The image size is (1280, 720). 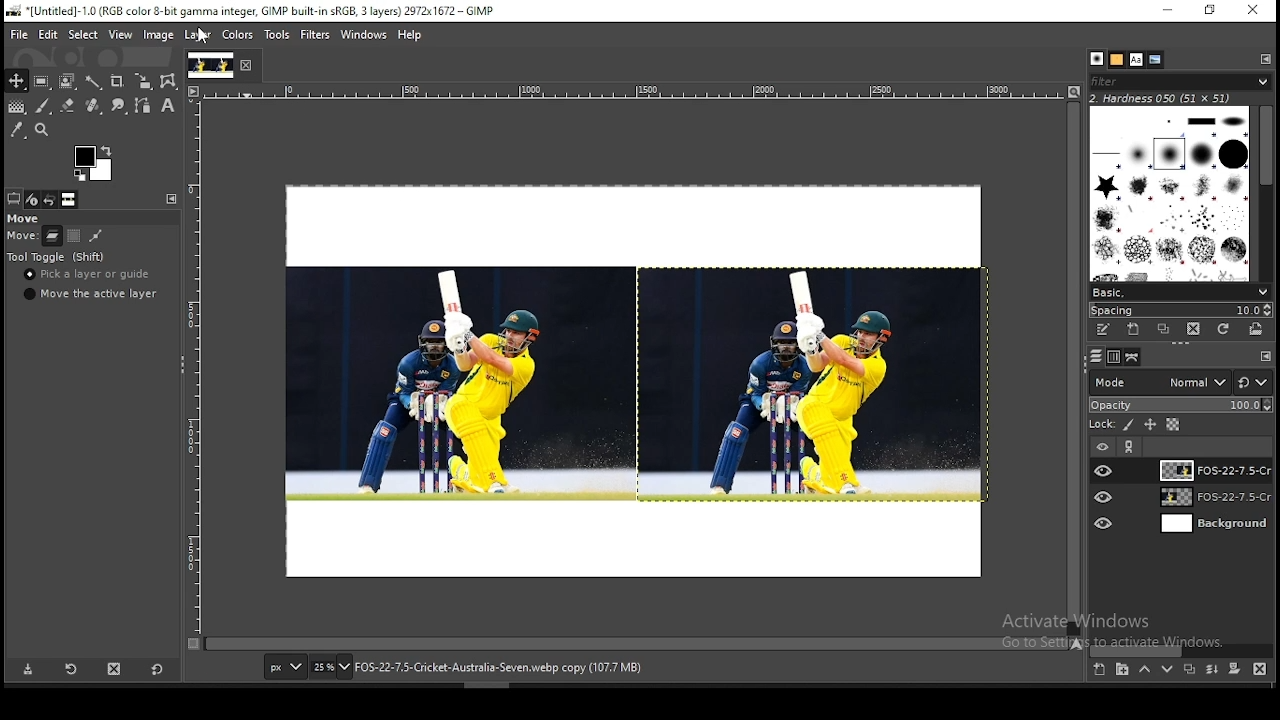 What do you see at coordinates (1267, 190) in the screenshot?
I see `Scroll bar` at bounding box center [1267, 190].